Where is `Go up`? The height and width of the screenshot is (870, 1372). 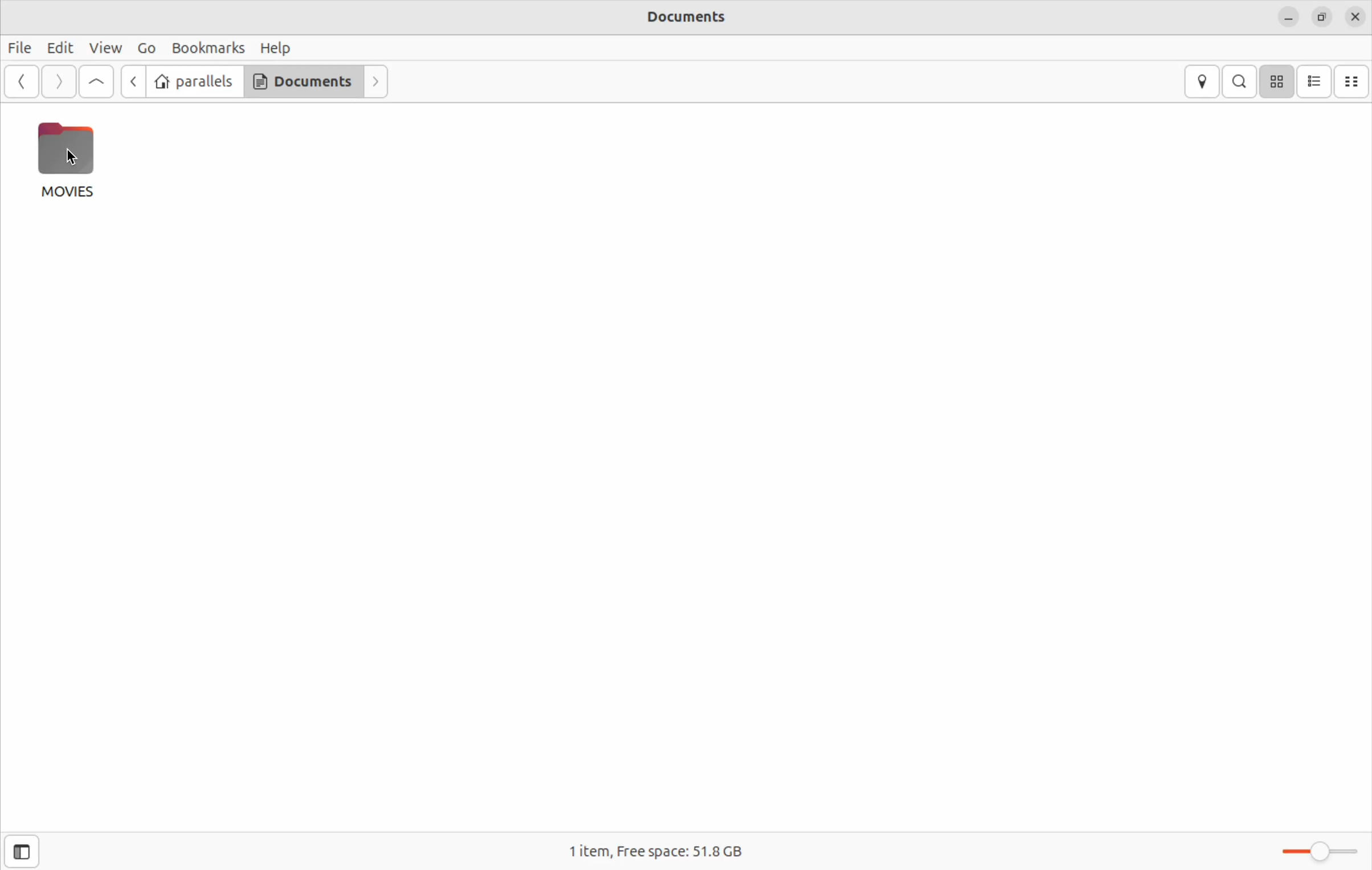
Go up is located at coordinates (96, 80).